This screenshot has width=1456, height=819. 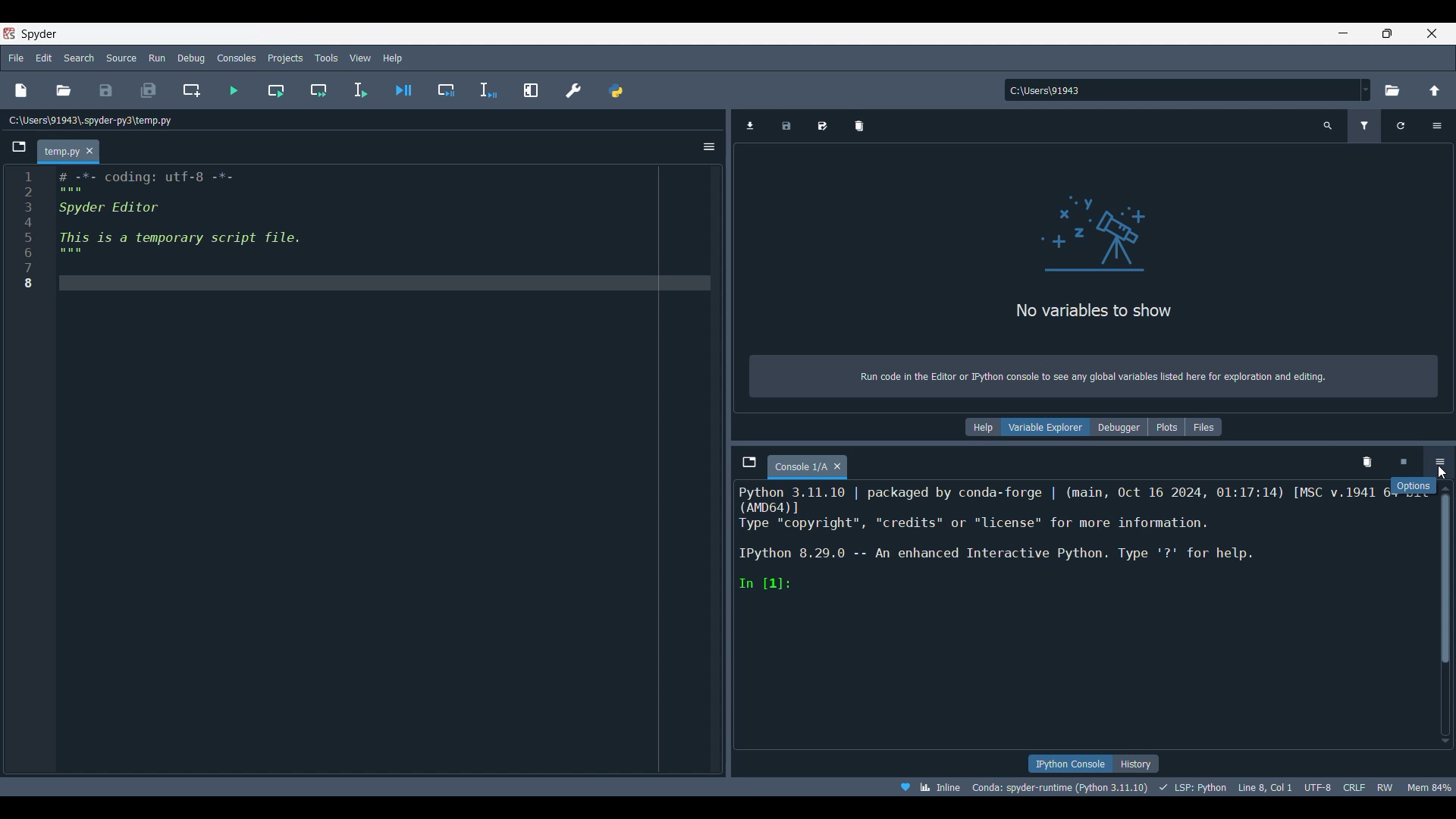 What do you see at coordinates (787, 126) in the screenshot?
I see `Save data` at bounding box center [787, 126].